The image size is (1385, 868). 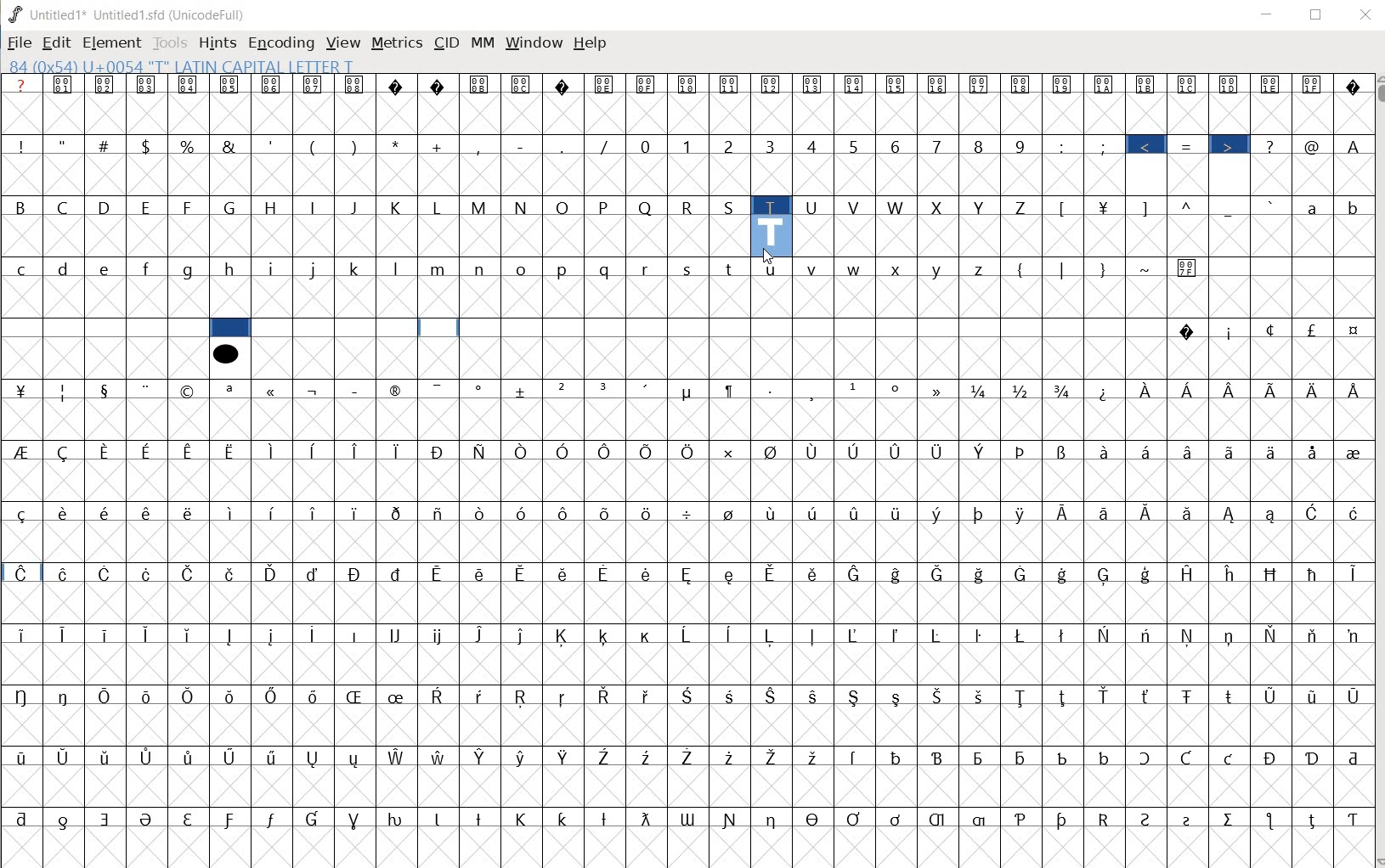 I want to click on Symbol, so click(x=524, y=392).